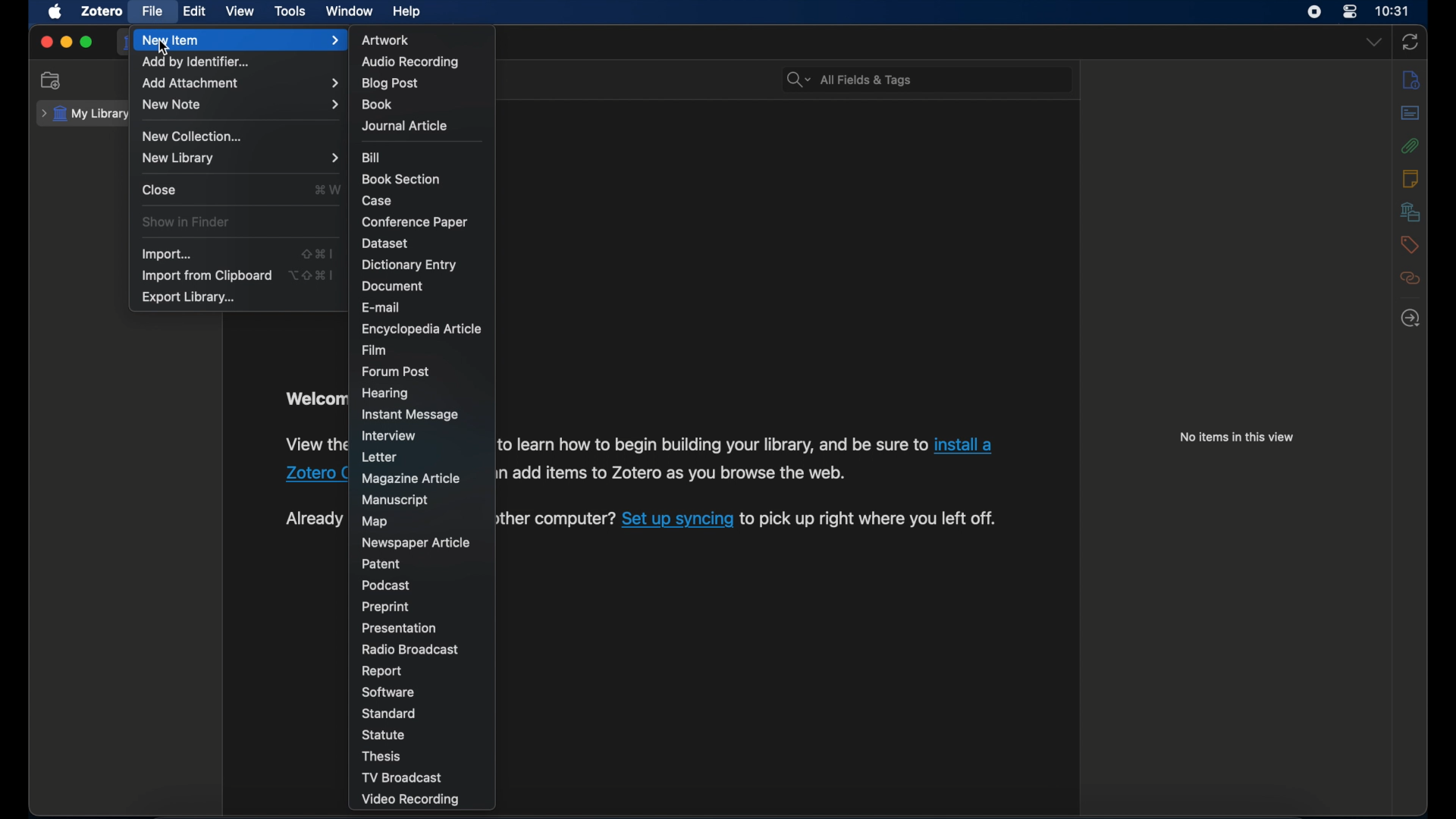 The height and width of the screenshot is (819, 1456). I want to click on tags, so click(1409, 245).